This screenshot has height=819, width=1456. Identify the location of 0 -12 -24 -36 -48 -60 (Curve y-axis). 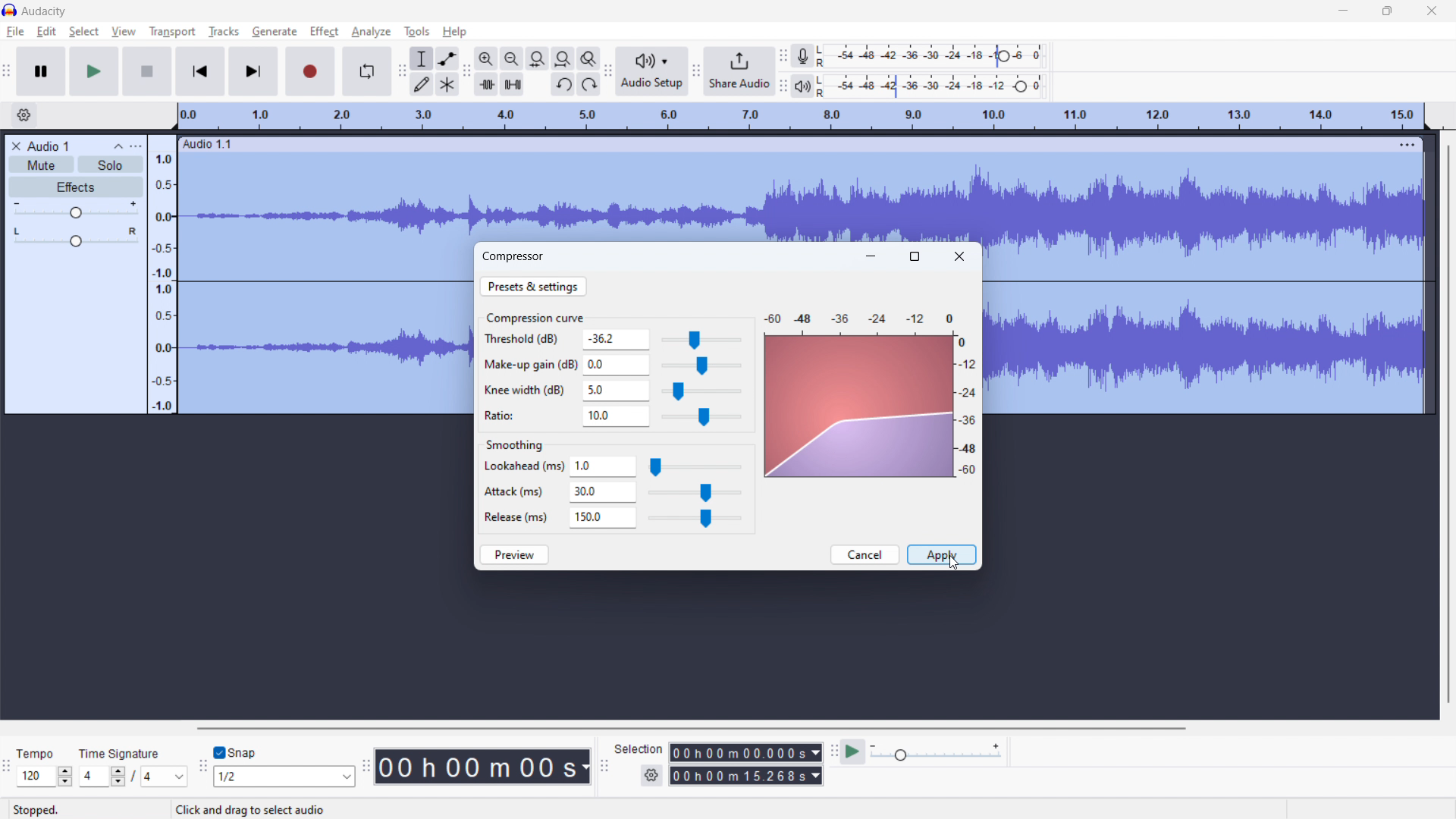
(969, 409).